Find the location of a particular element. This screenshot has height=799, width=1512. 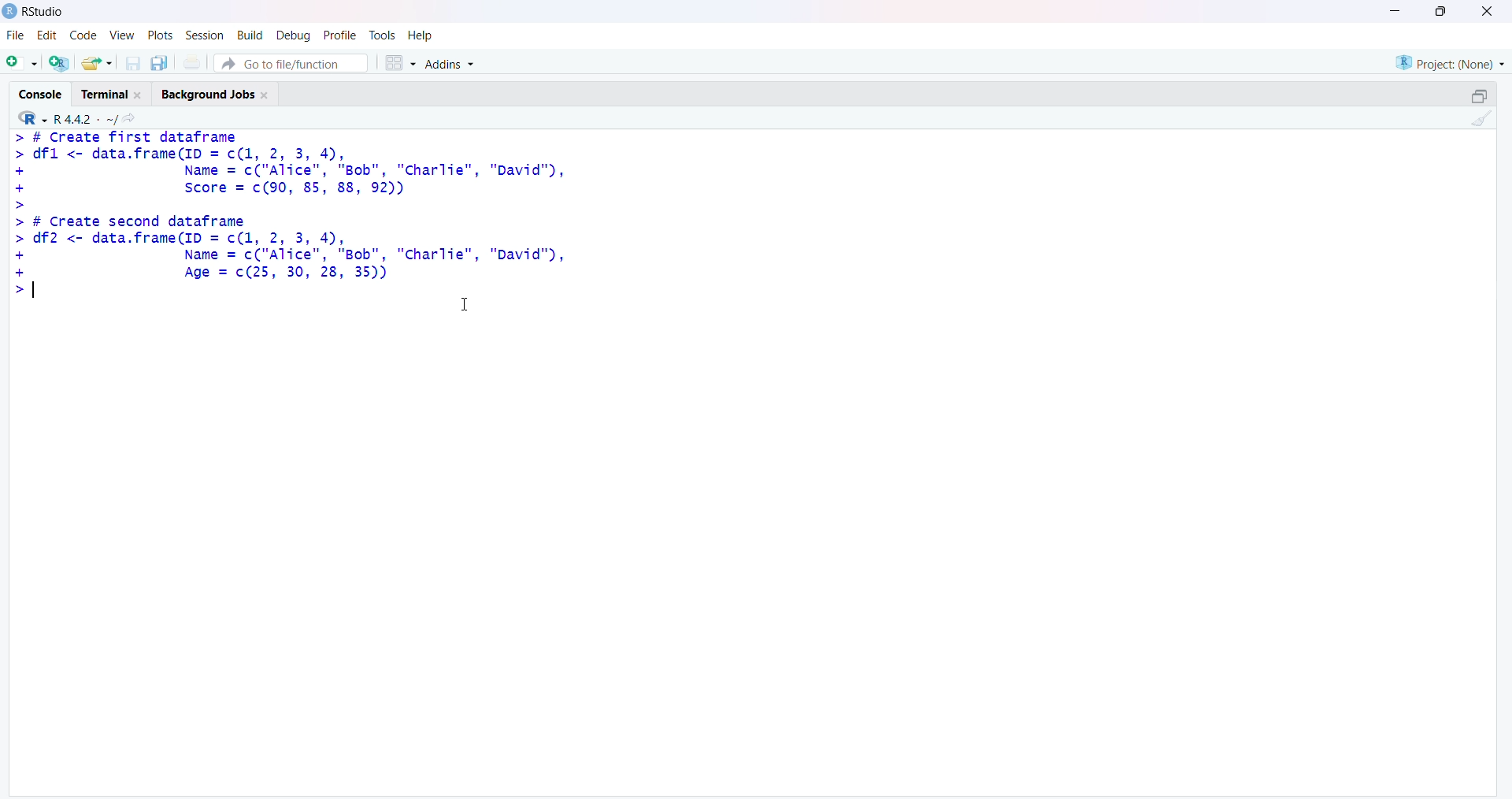

print is located at coordinates (193, 61).